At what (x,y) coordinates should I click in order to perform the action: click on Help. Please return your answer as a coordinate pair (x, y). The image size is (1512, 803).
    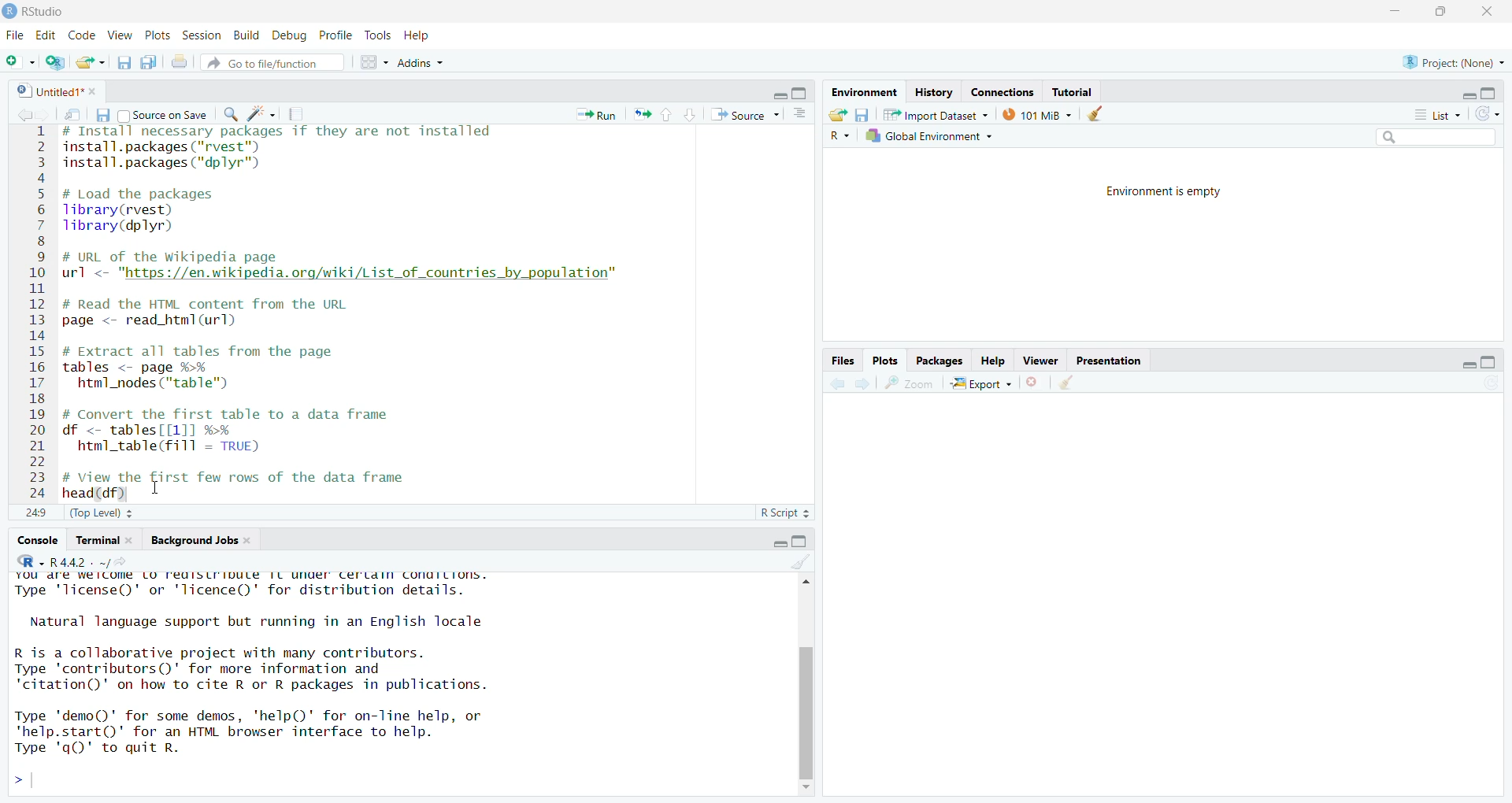
    Looking at the image, I should click on (994, 361).